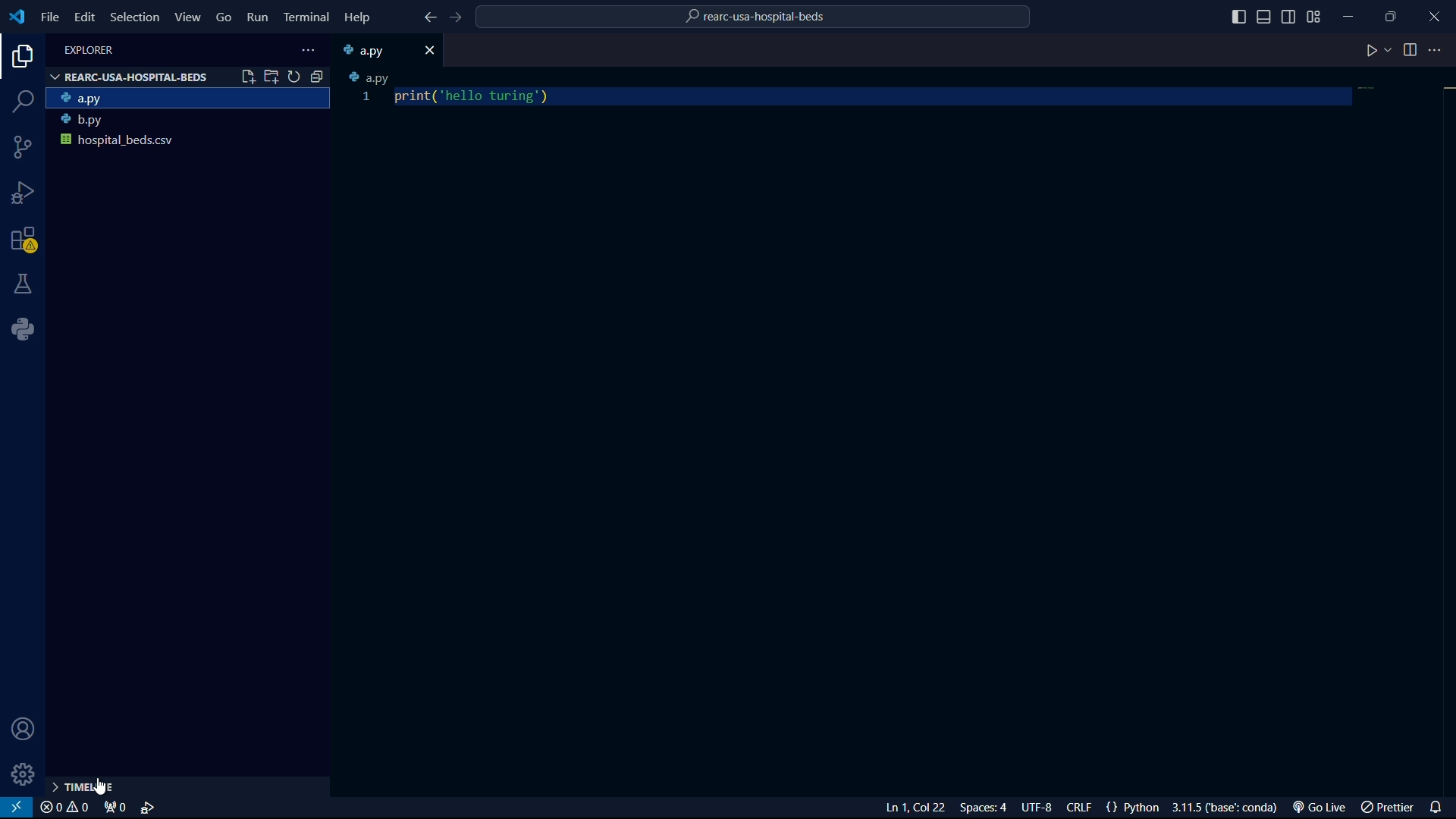 This screenshot has height=819, width=1456. What do you see at coordinates (257, 18) in the screenshot?
I see `run menu` at bounding box center [257, 18].